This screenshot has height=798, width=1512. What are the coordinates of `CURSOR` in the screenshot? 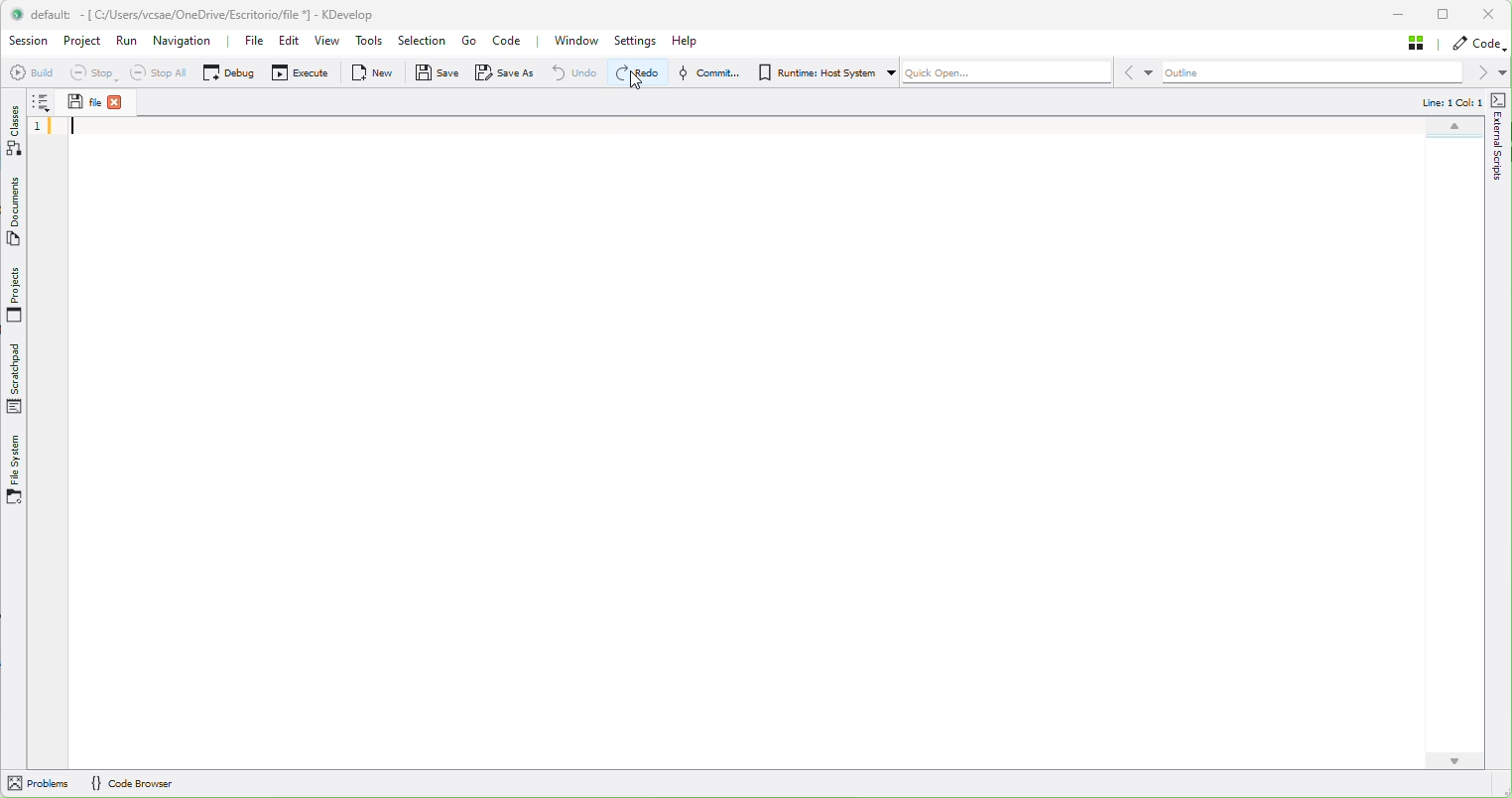 It's located at (635, 82).